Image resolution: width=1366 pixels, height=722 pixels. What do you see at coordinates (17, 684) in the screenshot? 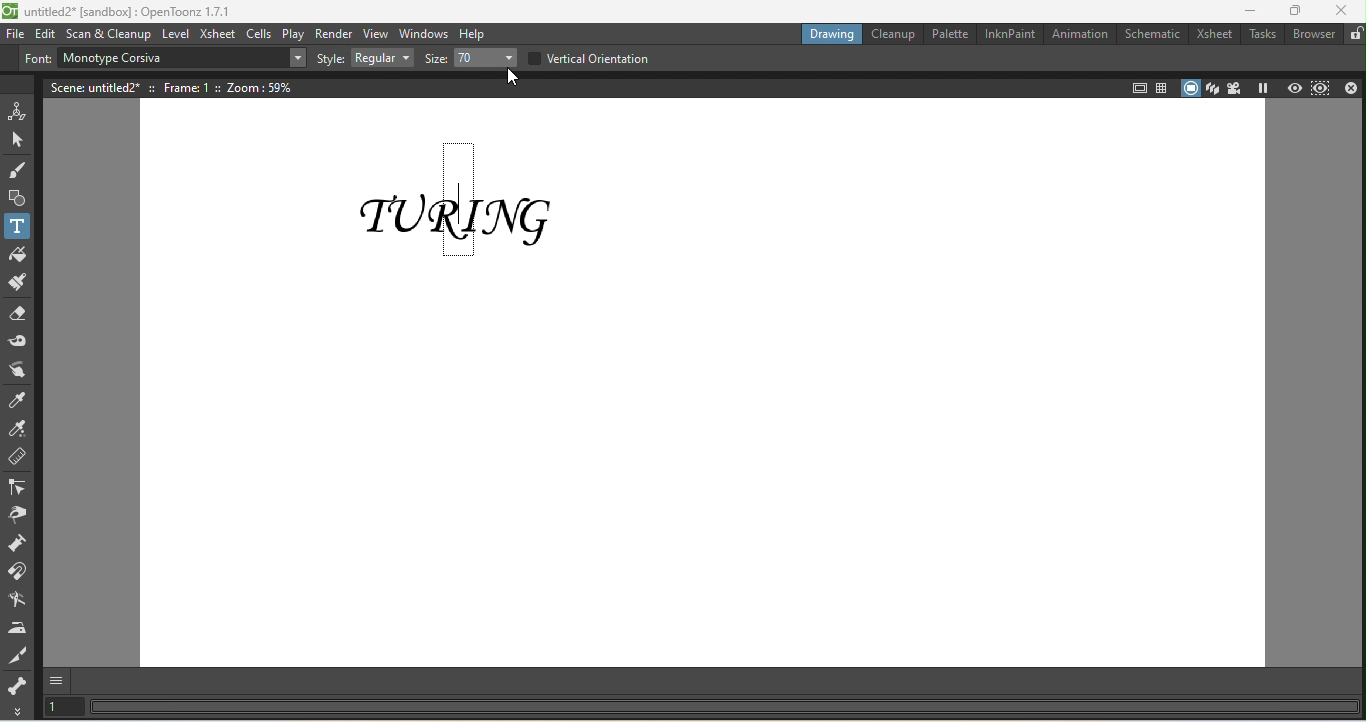
I see `skeleton tool` at bounding box center [17, 684].